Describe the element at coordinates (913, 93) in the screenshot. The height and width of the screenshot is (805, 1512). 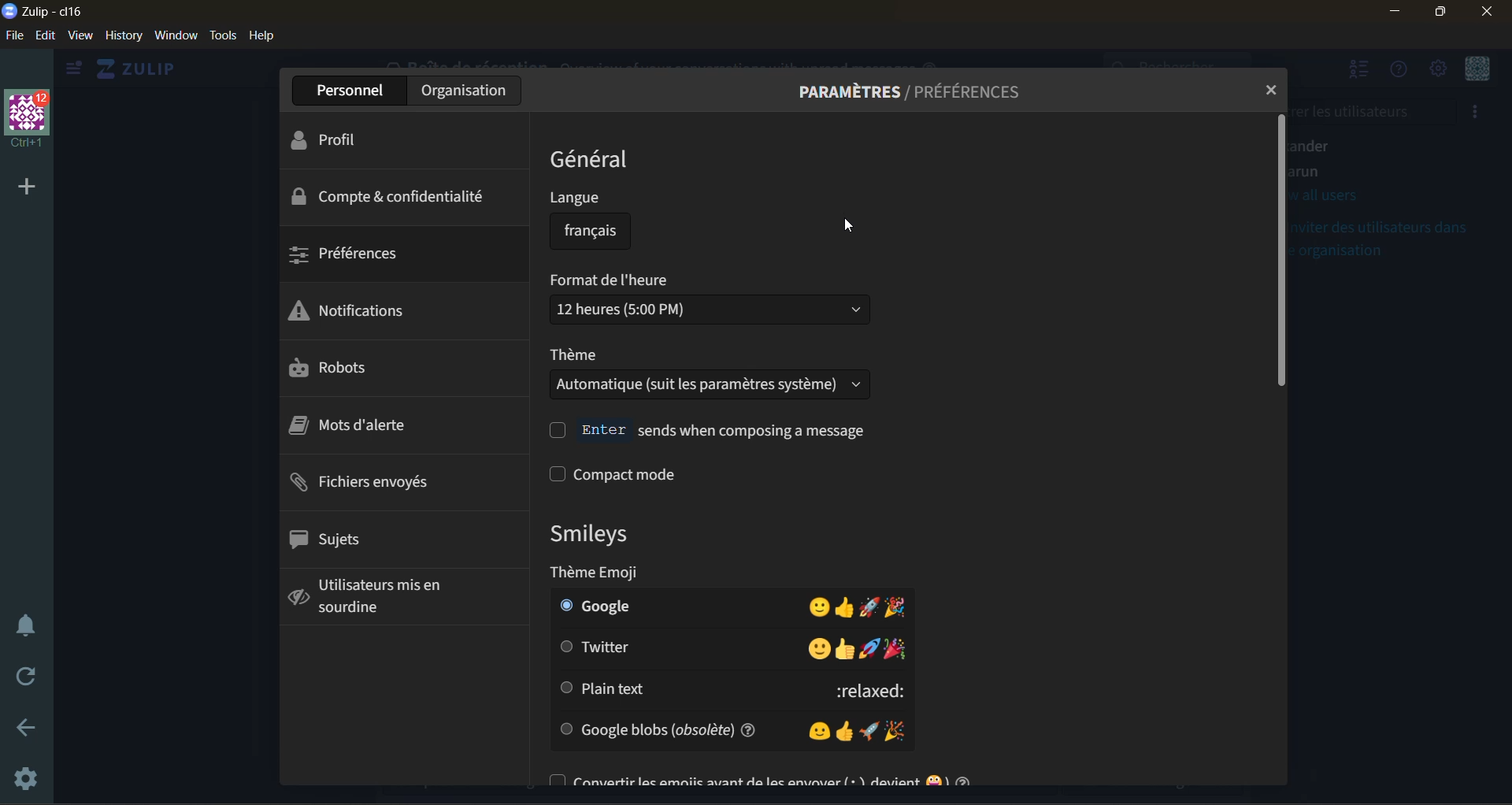
I see `settings/preferences` at that location.